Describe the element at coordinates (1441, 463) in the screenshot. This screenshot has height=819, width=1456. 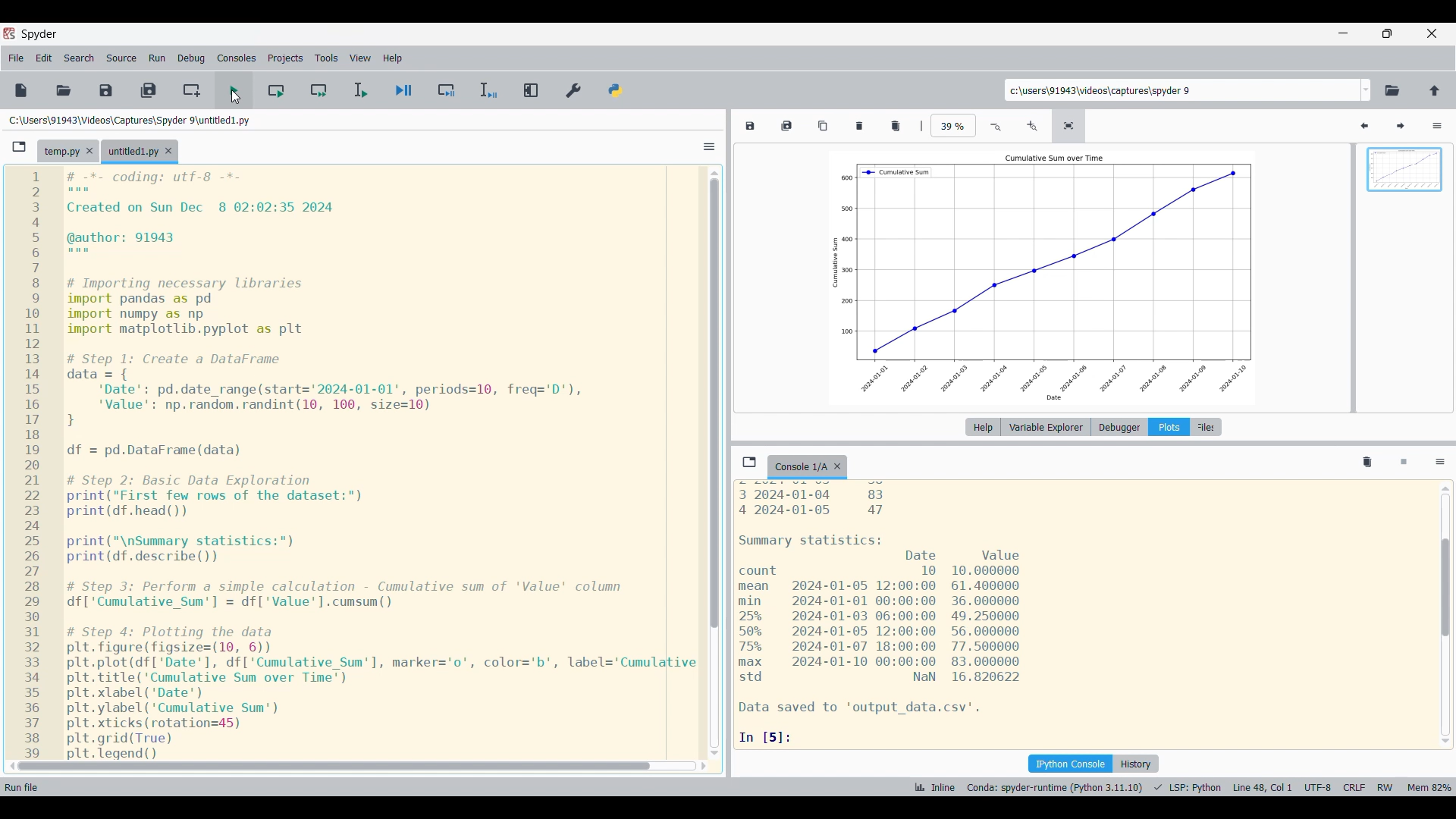
I see `Options` at that location.